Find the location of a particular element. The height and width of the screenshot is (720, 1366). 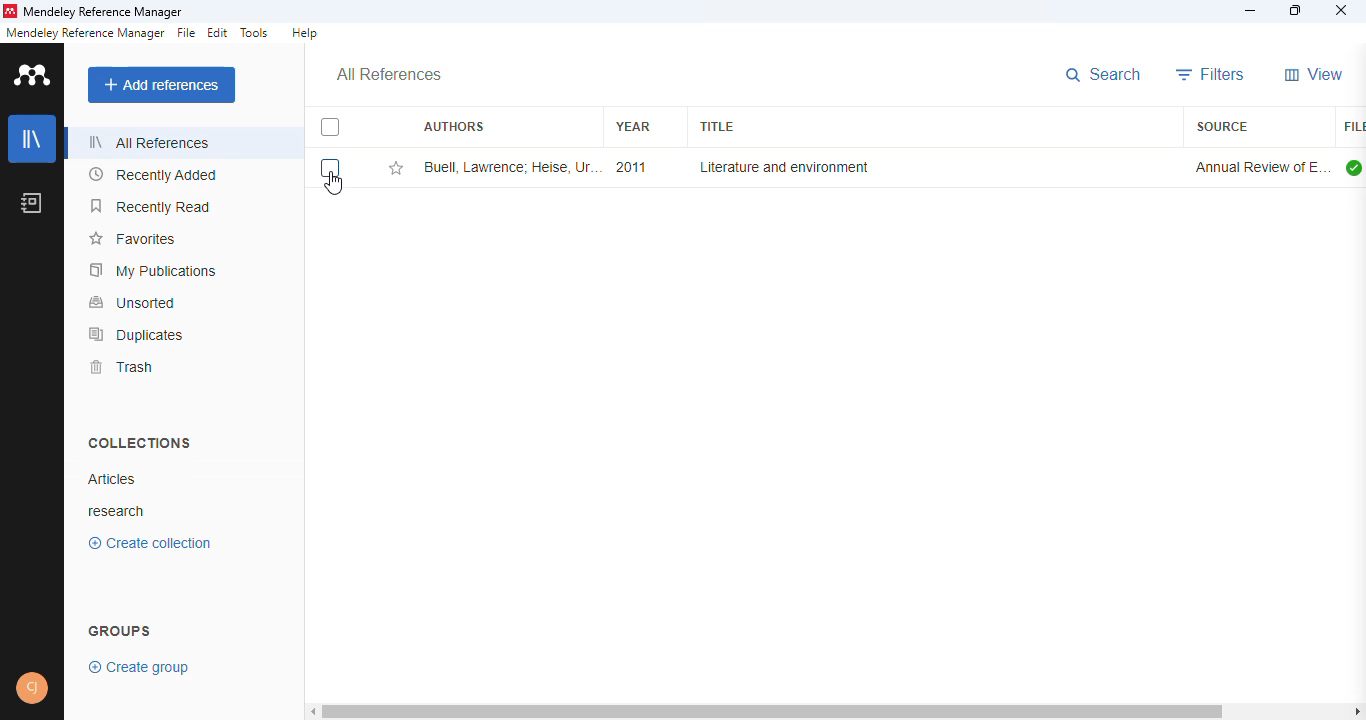

logo is located at coordinates (9, 11).